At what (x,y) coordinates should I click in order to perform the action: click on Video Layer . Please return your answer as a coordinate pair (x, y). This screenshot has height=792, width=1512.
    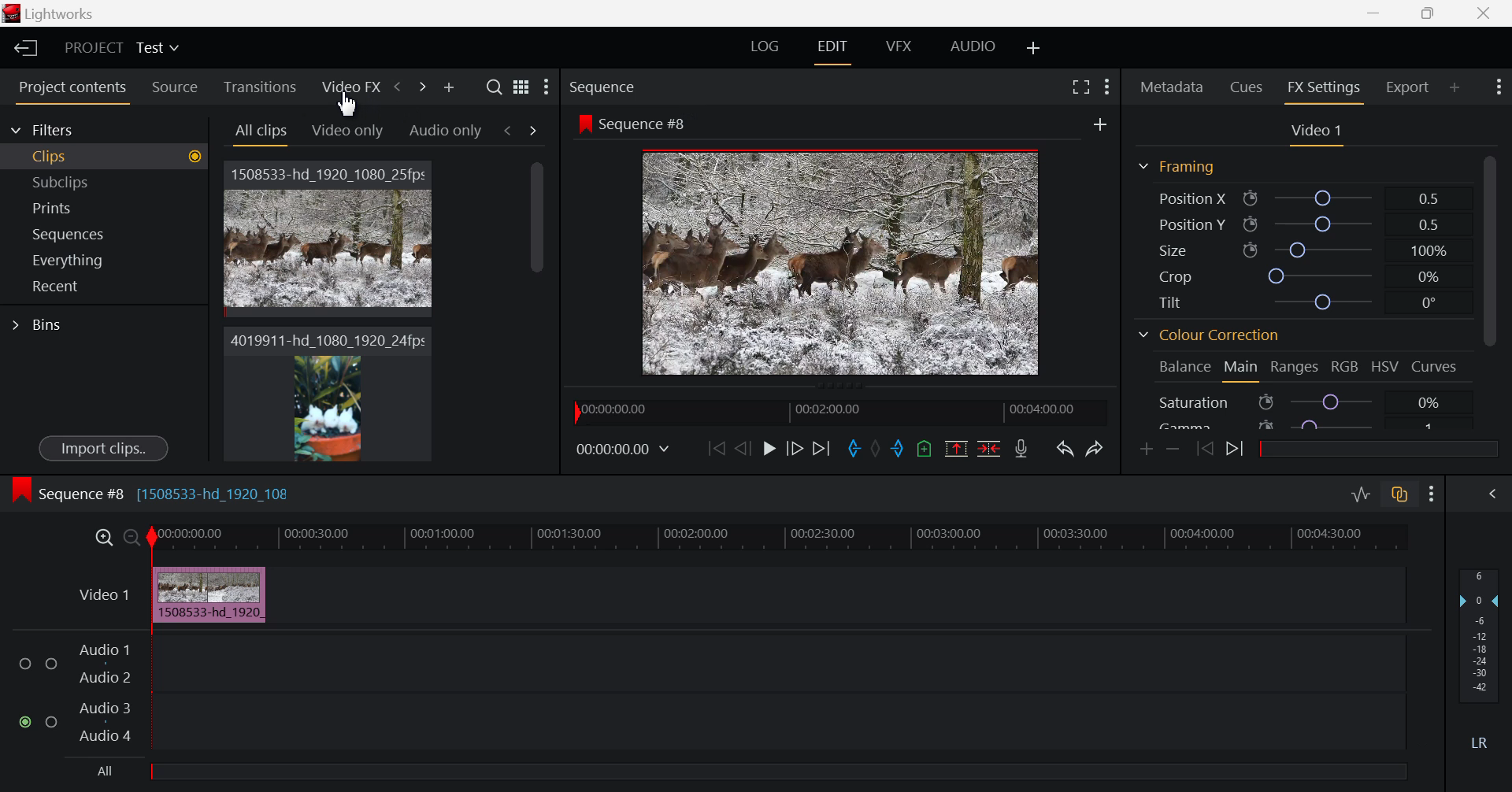
    Looking at the image, I should click on (91, 593).